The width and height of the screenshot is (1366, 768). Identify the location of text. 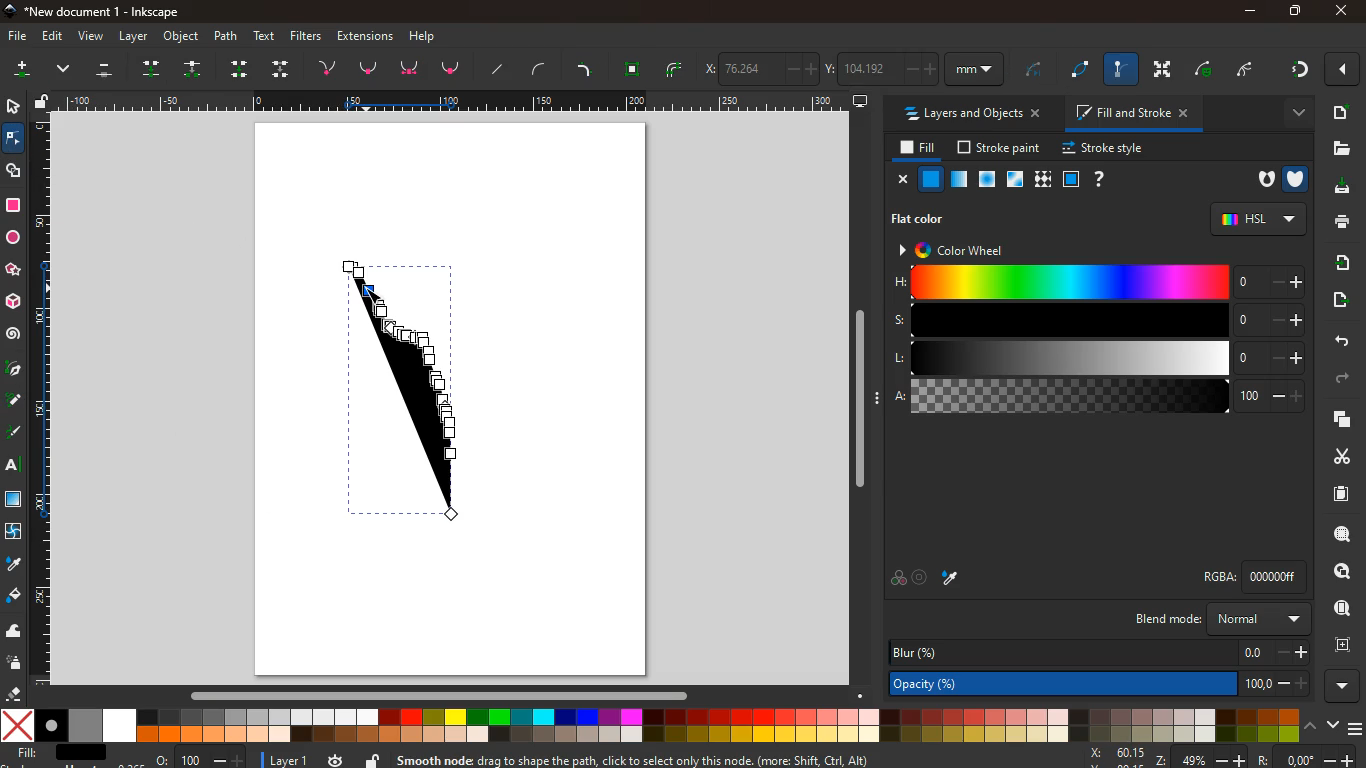
(266, 36).